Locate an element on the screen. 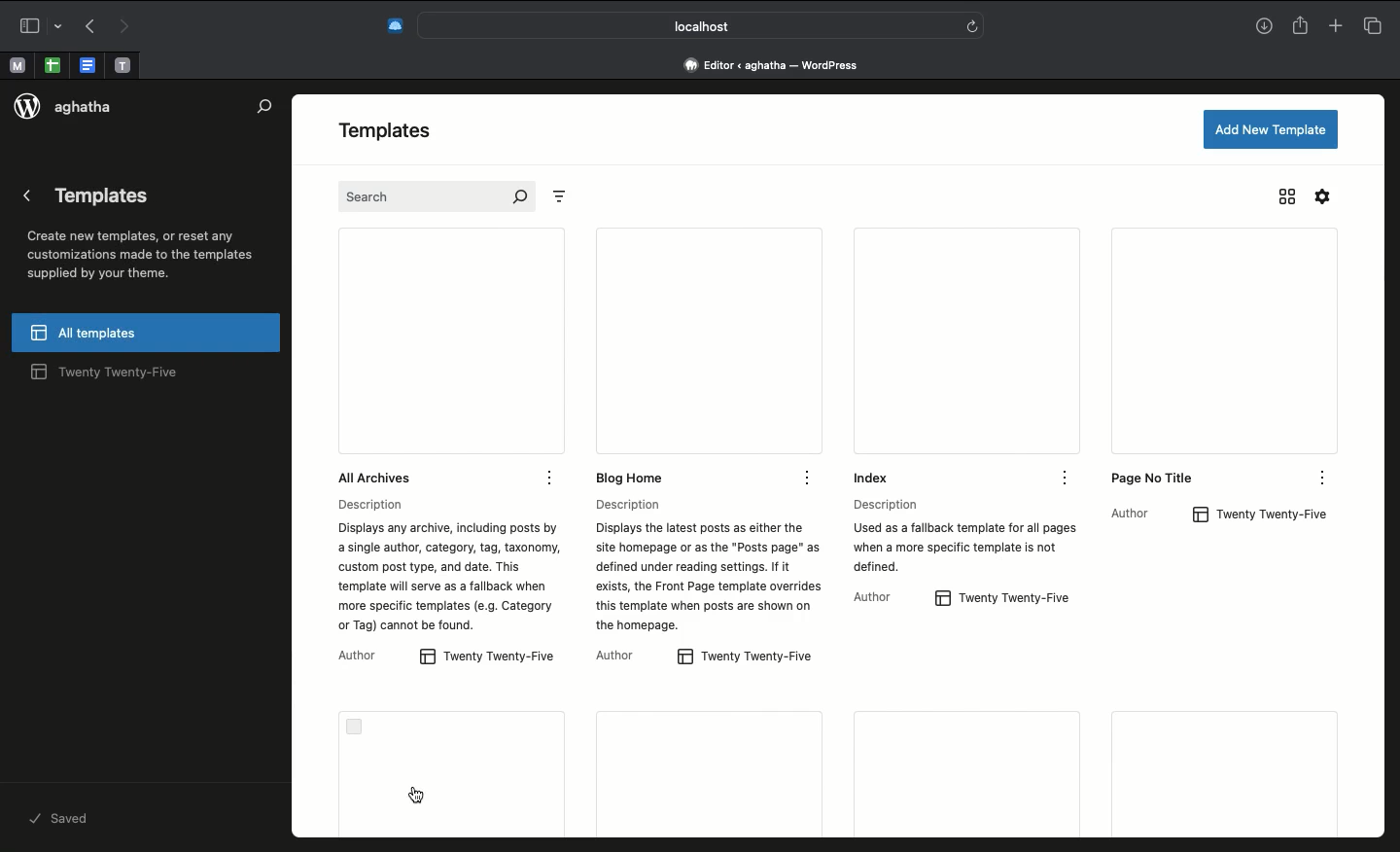 This screenshot has width=1400, height=852. Share is located at coordinates (1299, 23).